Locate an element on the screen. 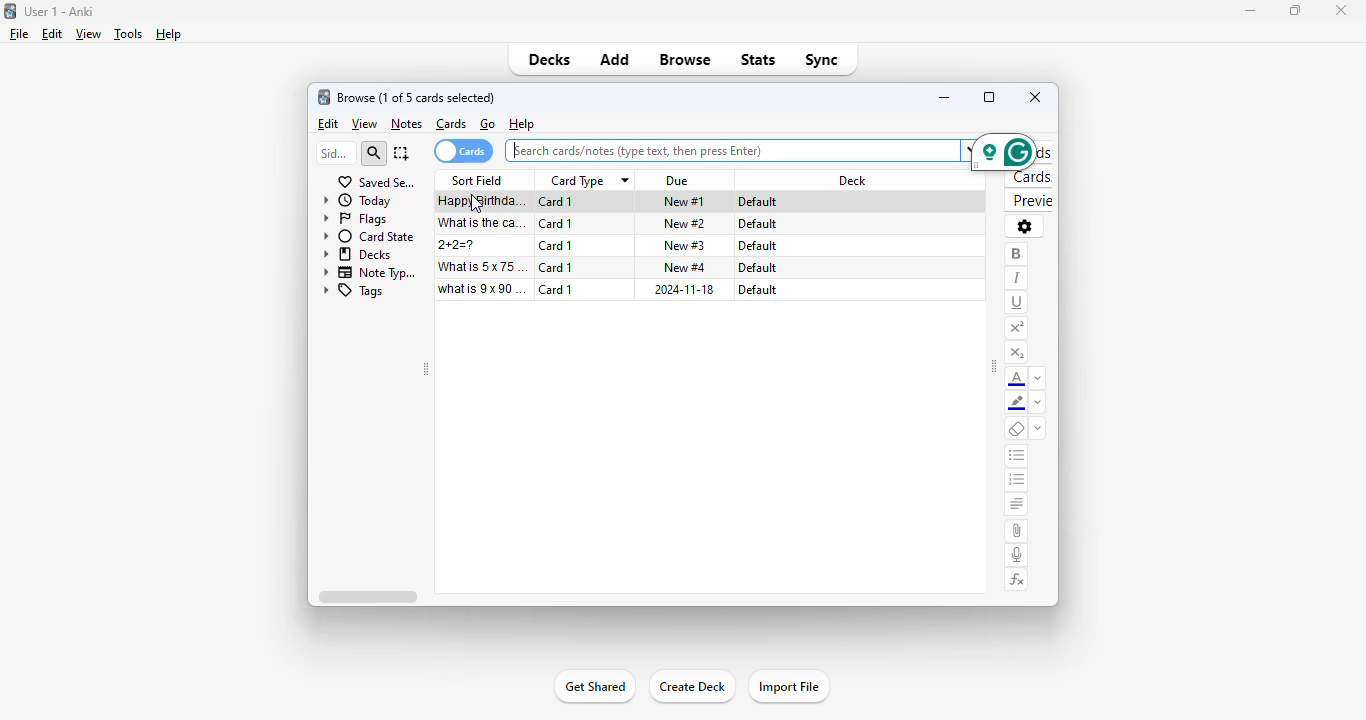 This screenshot has width=1366, height=720. default is located at coordinates (757, 224).